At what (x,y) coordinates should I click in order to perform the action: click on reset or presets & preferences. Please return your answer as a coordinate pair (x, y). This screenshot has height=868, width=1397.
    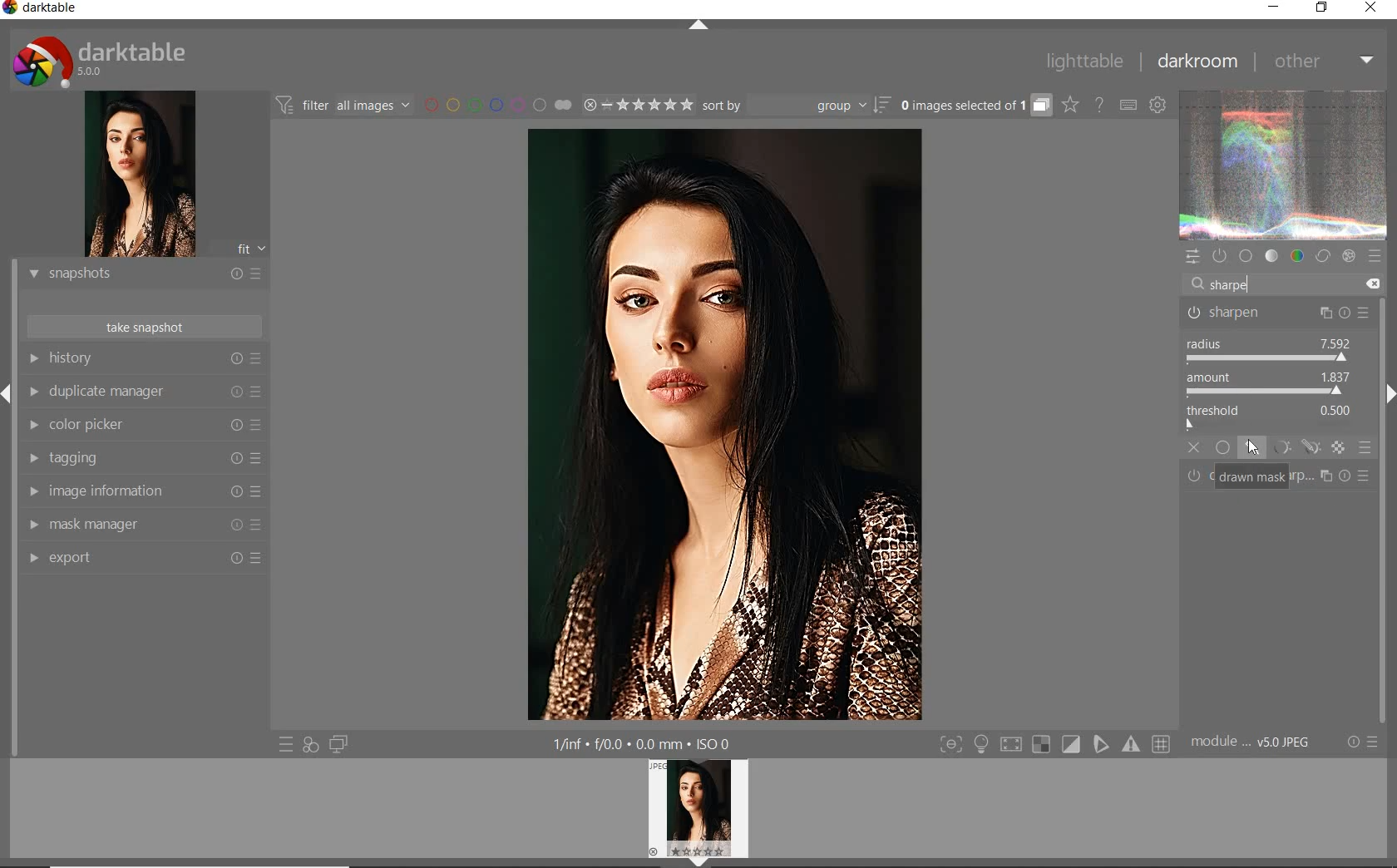
    Looking at the image, I should click on (1363, 745).